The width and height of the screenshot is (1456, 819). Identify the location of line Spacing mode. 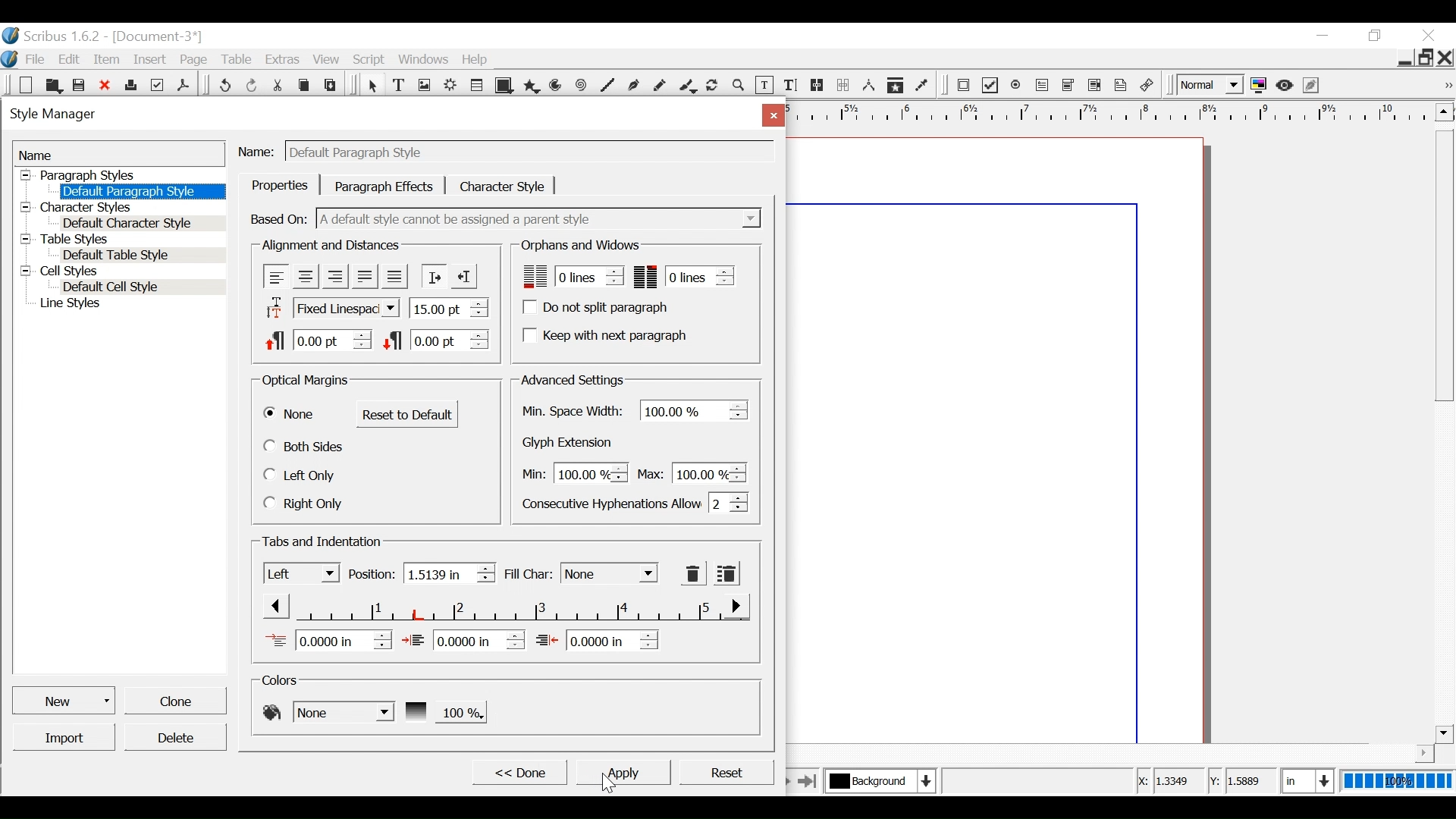
(330, 309).